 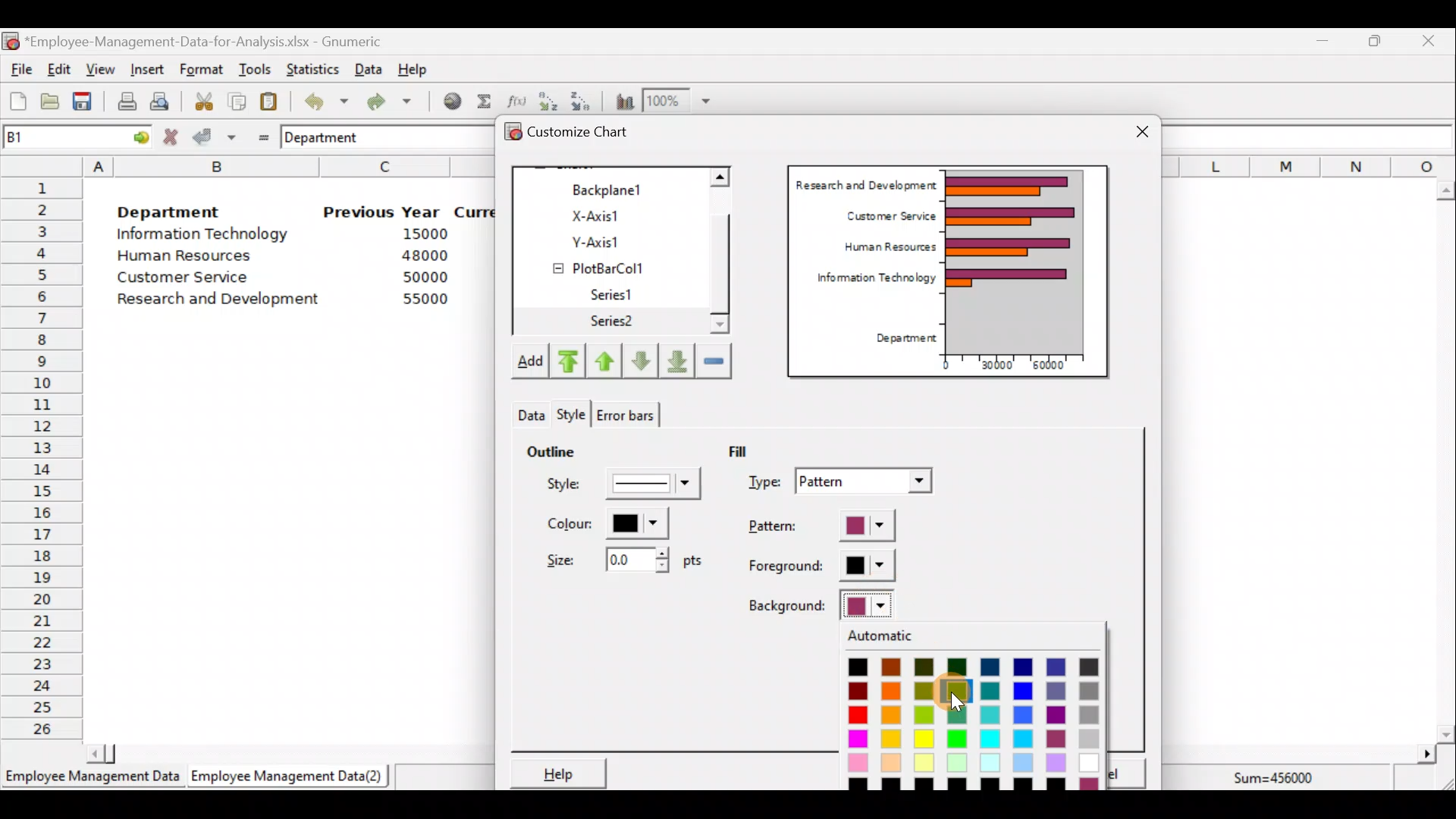 I want to click on Color palette, so click(x=983, y=708).